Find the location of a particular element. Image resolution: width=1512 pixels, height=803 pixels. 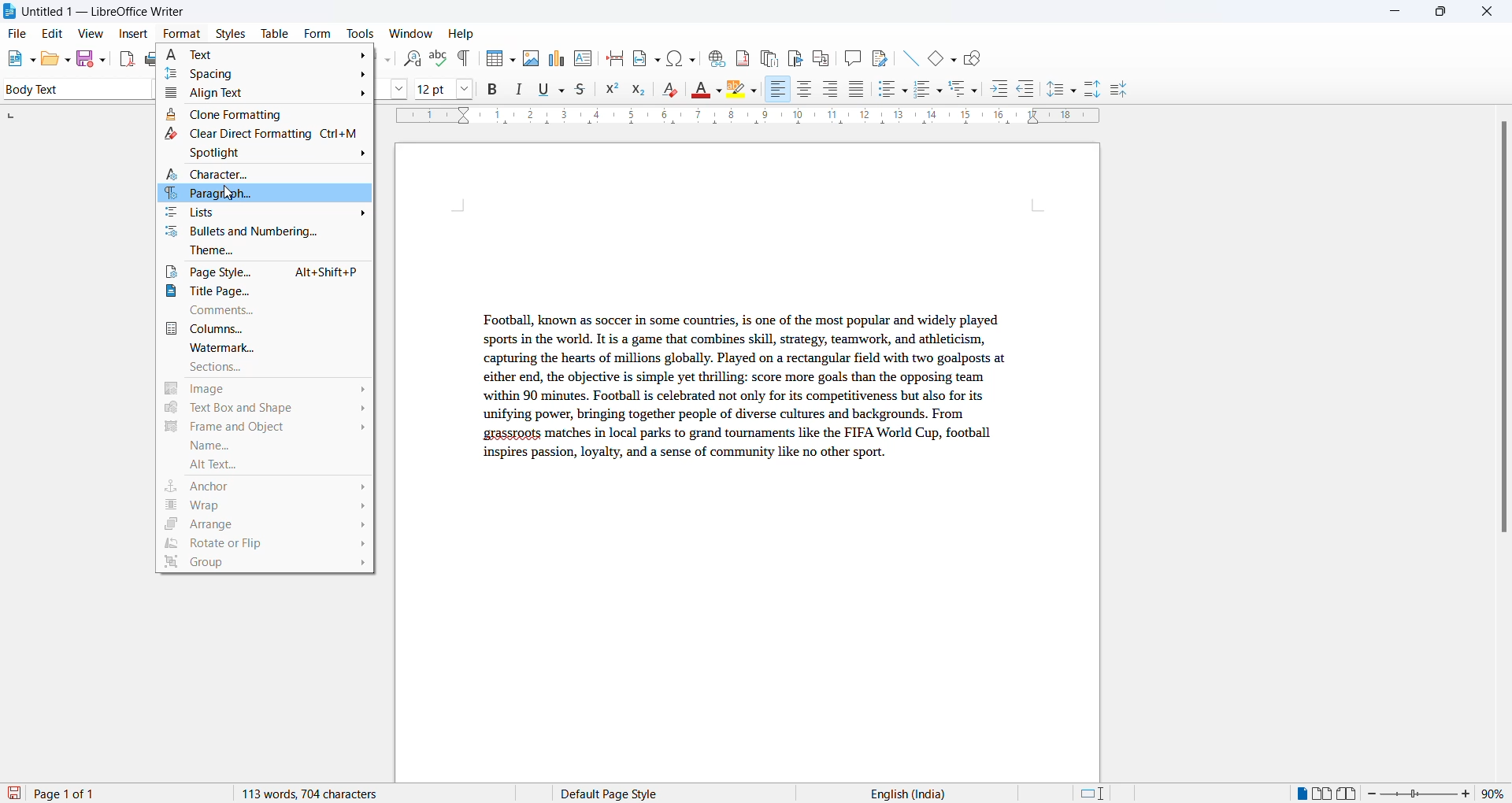

text align center is located at coordinates (805, 90).